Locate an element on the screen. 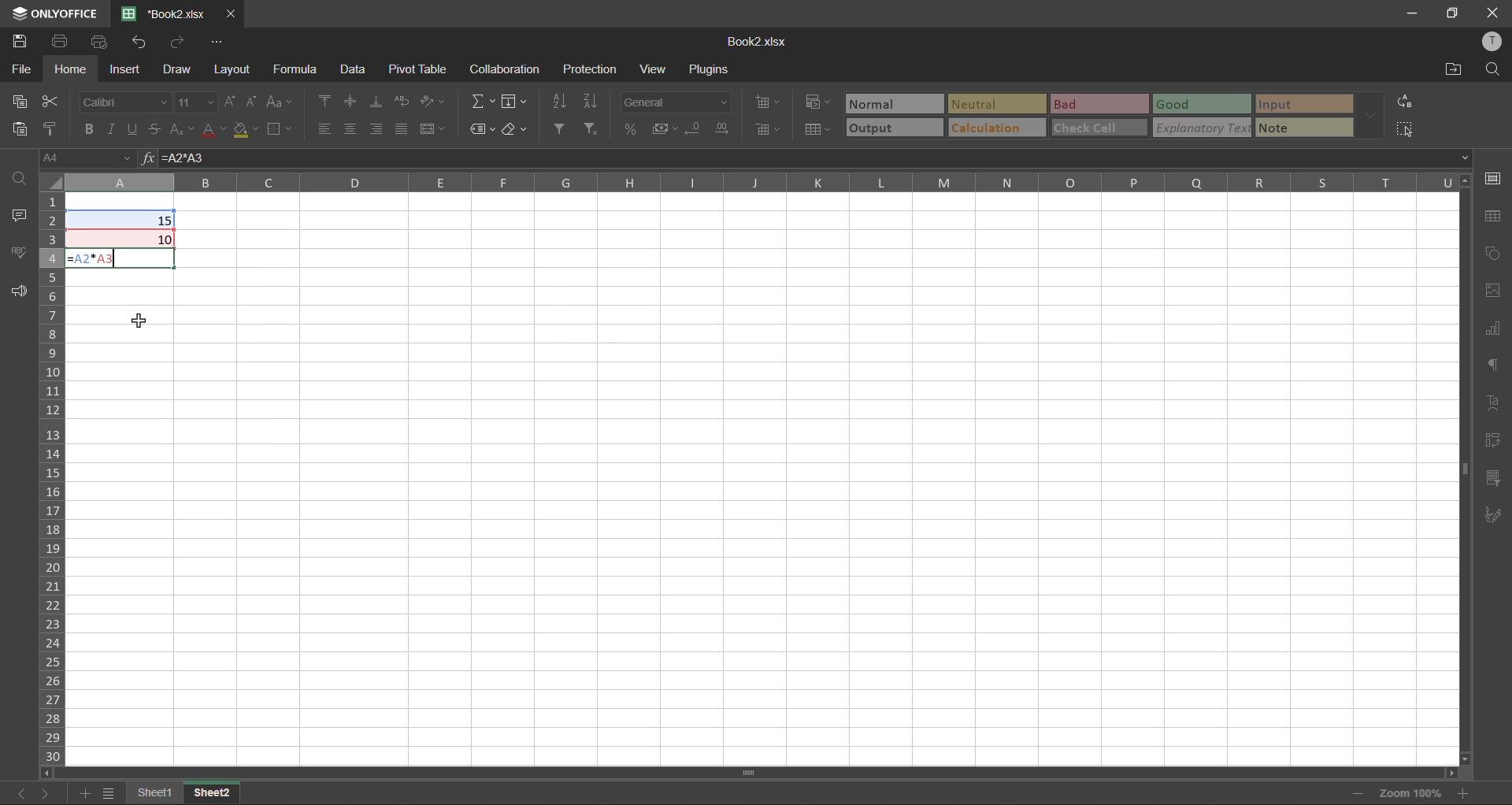 This screenshot has width=1512, height=805. sort descending is located at coordinates (592, 100).